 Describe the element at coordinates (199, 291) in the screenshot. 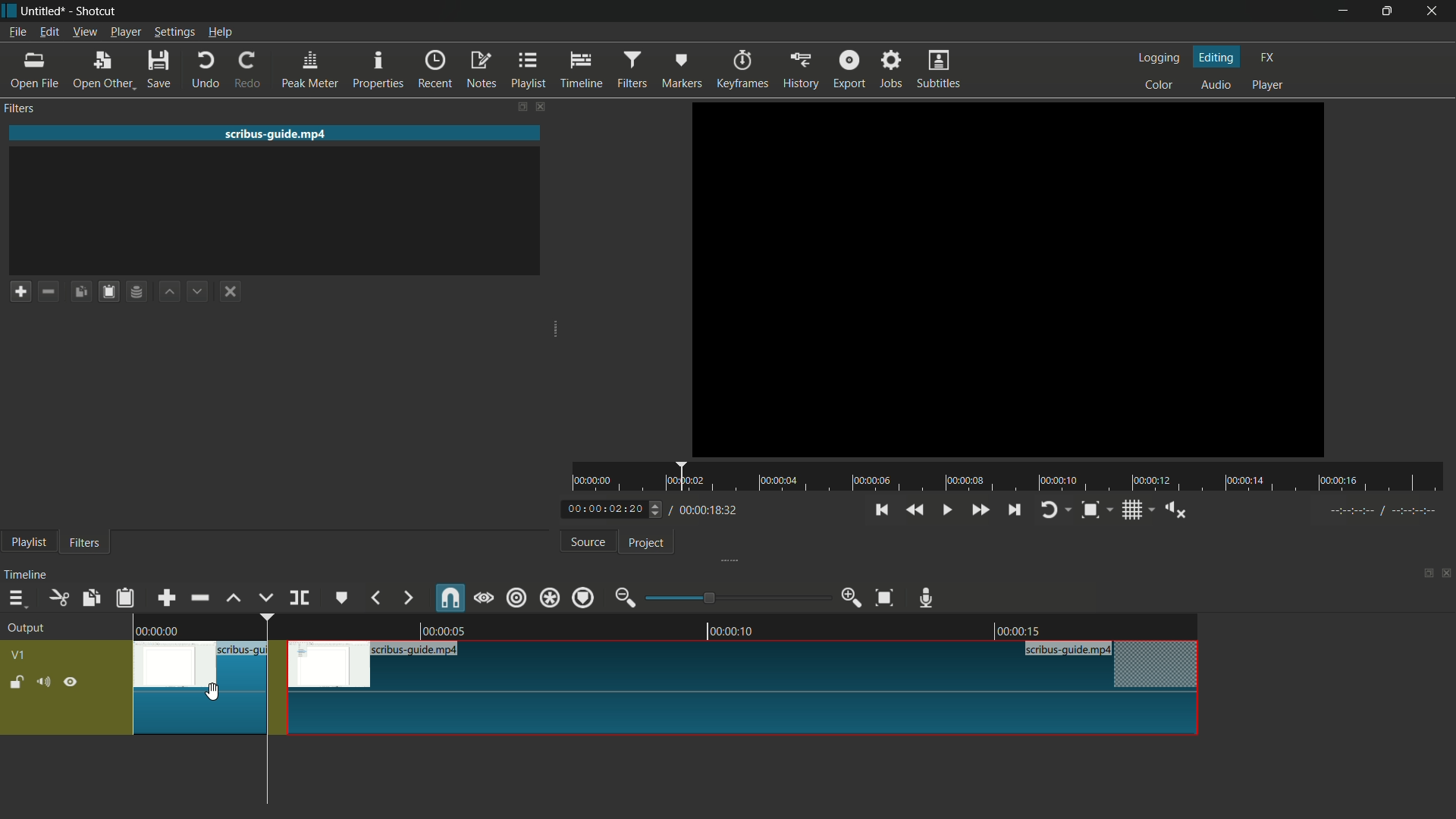

I see `move filter down` at that location.